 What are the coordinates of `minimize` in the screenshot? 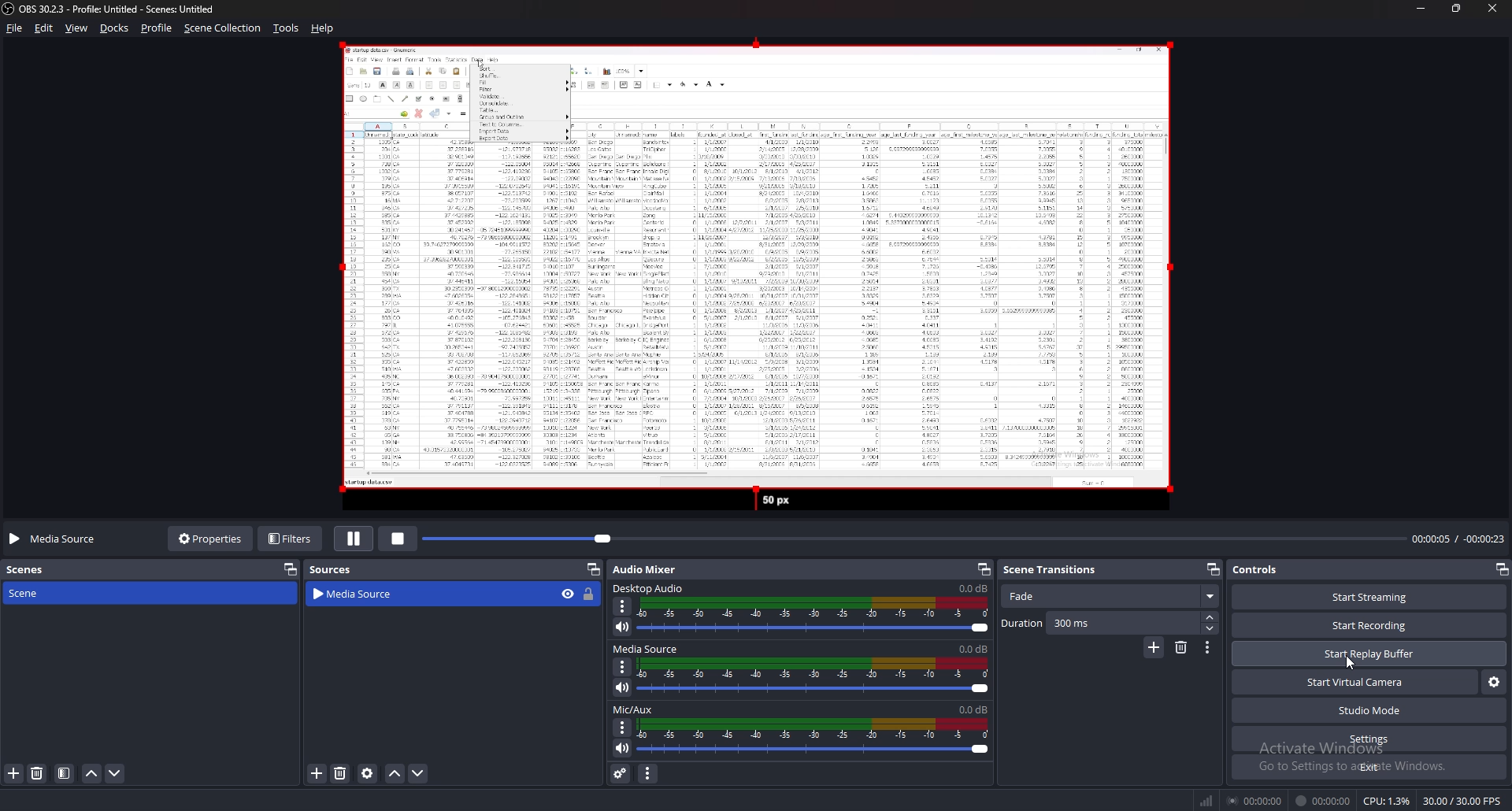 It's located at (1420, 8).